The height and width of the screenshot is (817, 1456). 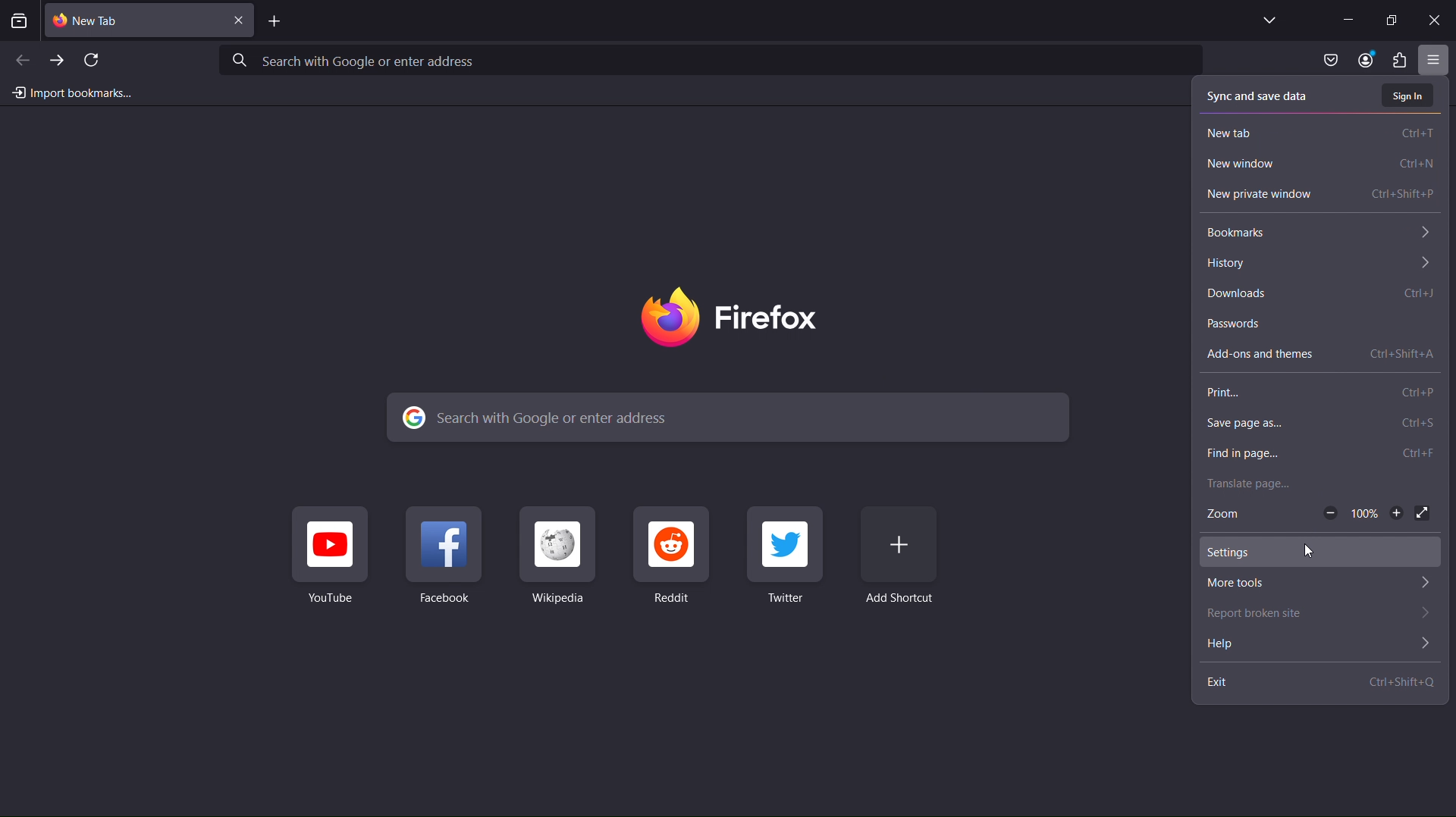 What do you see at coordinates (1408, 95) in the screenshot?
I see `Sign In` at bounding box center [1408, 95].